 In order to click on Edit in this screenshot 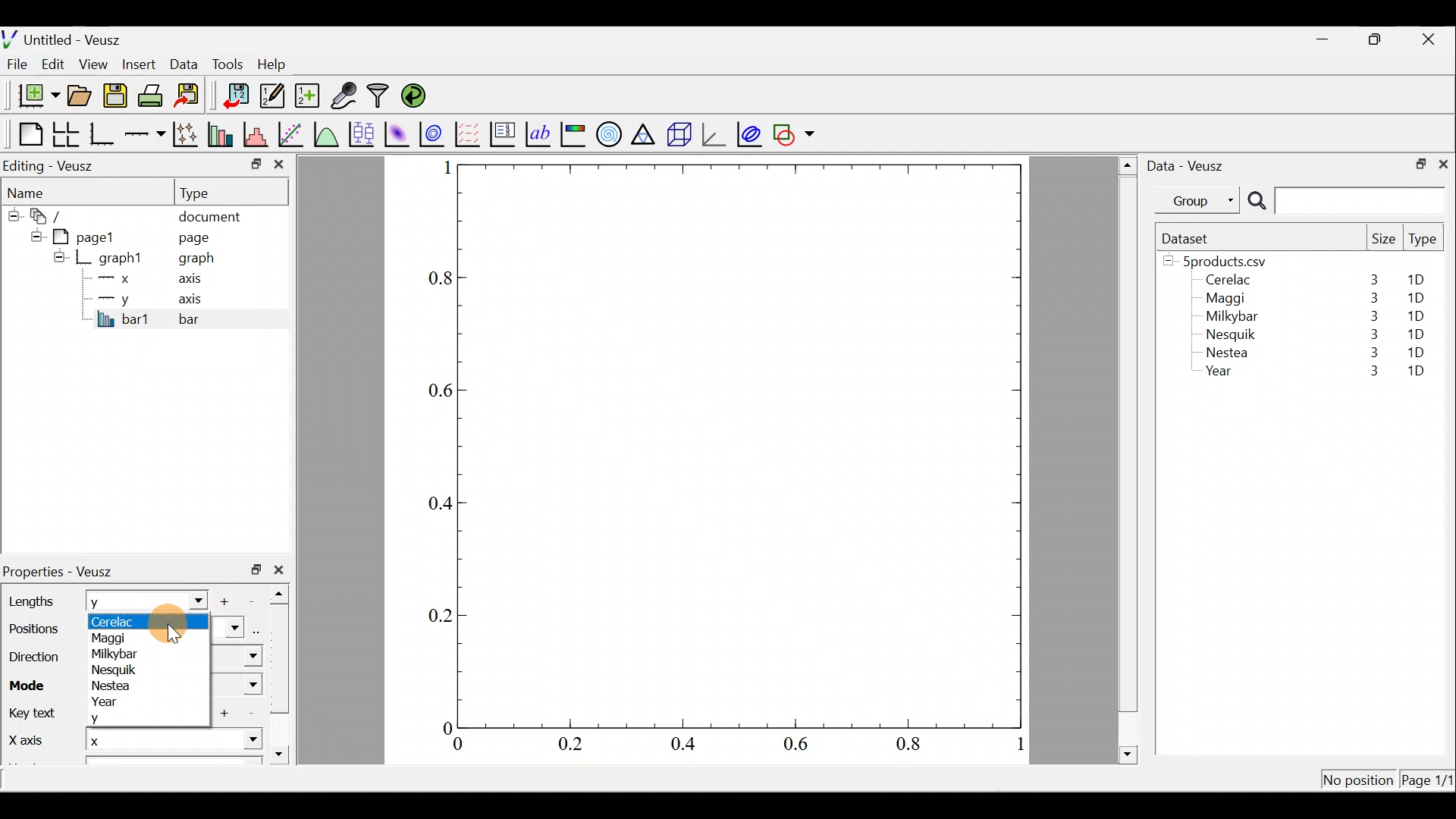, I will do `click(53, 63)`.